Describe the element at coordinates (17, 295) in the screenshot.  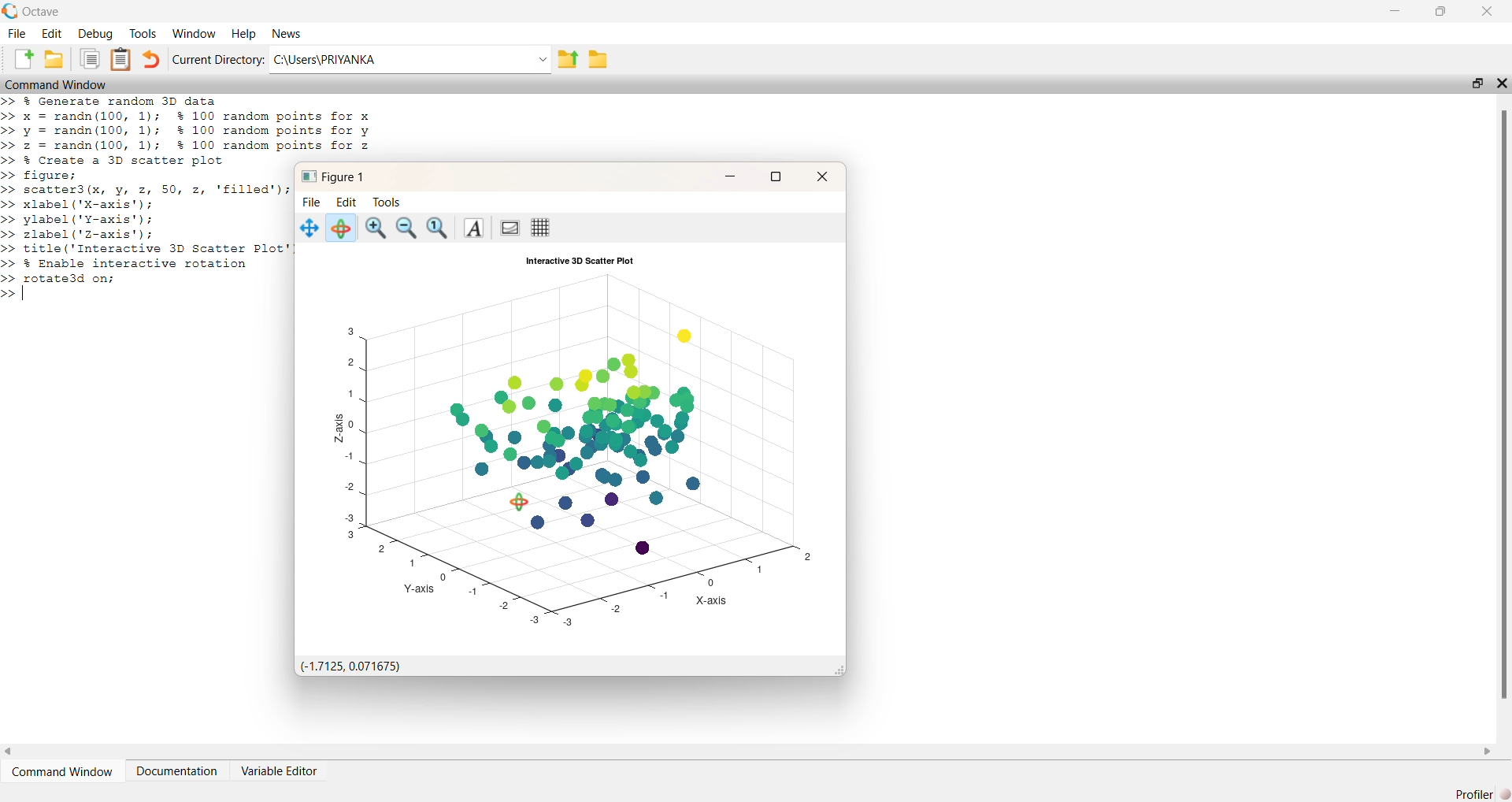
I see `>> |` at that location.